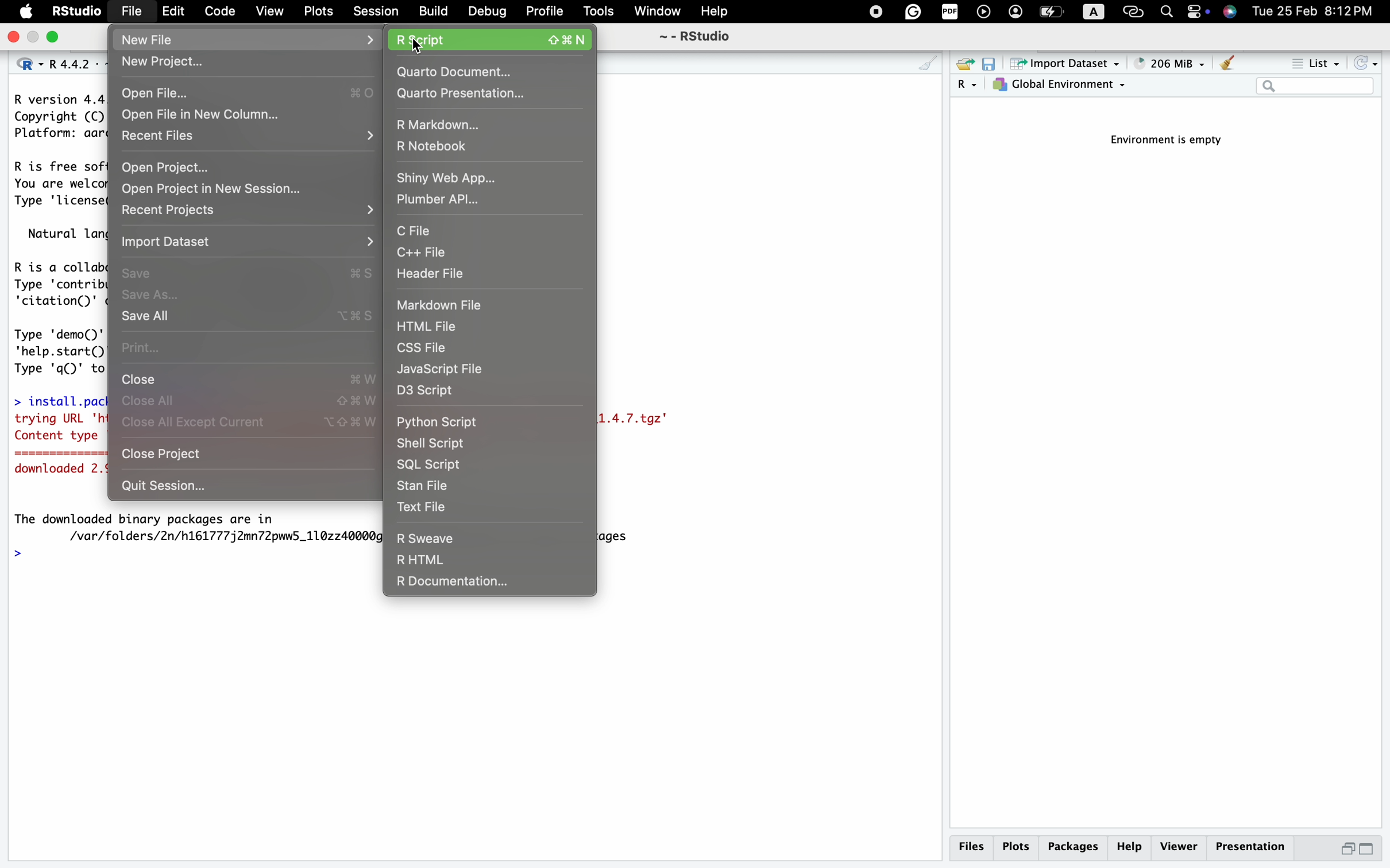  Describe the element at coordinates (252, 317) in the screenshot. I see `save all` at that location.